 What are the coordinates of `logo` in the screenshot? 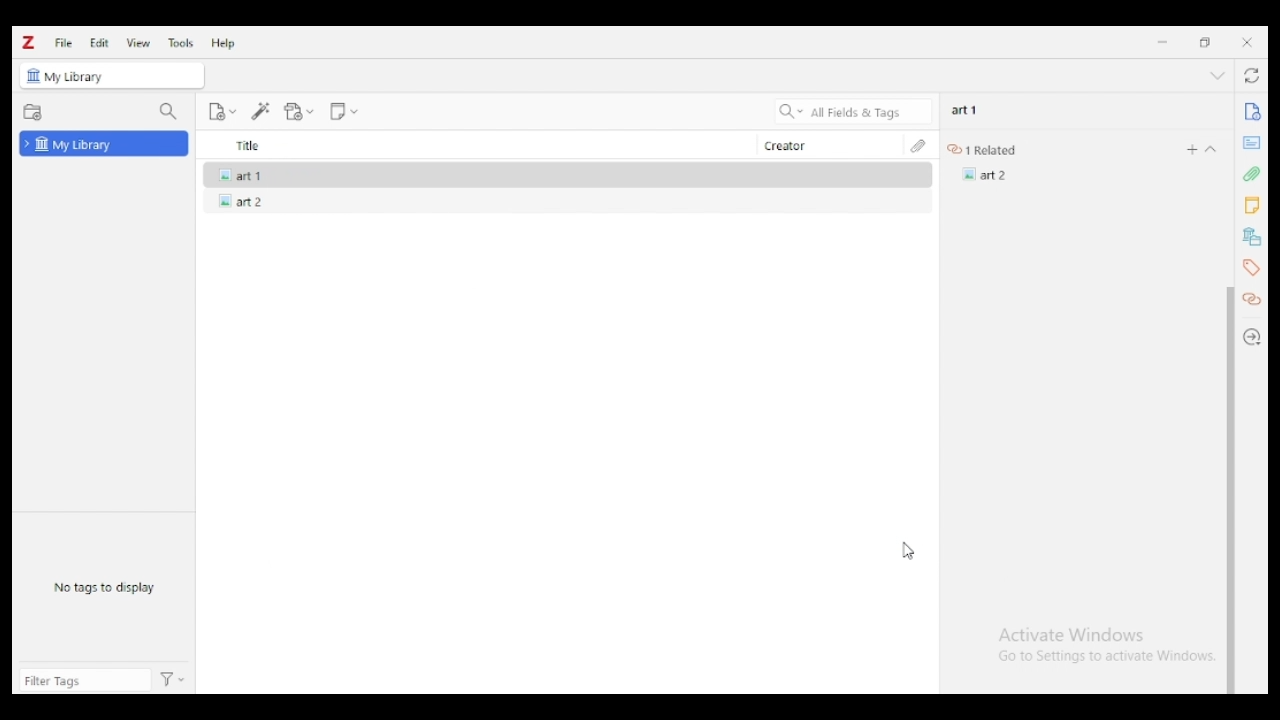 It's located at (29, 43).